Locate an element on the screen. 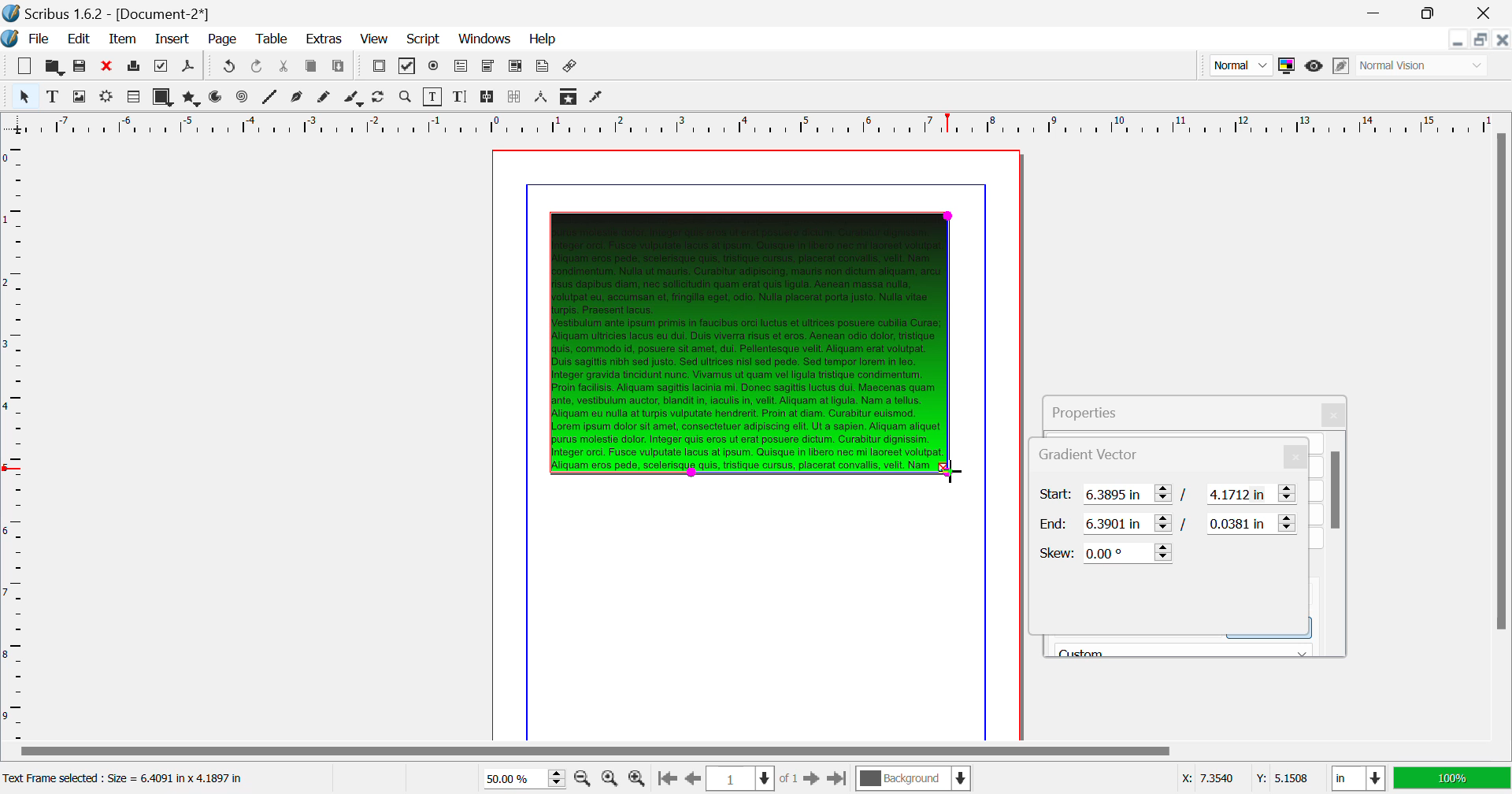 This screenshot has height=794, width=1512. First Page is located at coordinates (665, 780).